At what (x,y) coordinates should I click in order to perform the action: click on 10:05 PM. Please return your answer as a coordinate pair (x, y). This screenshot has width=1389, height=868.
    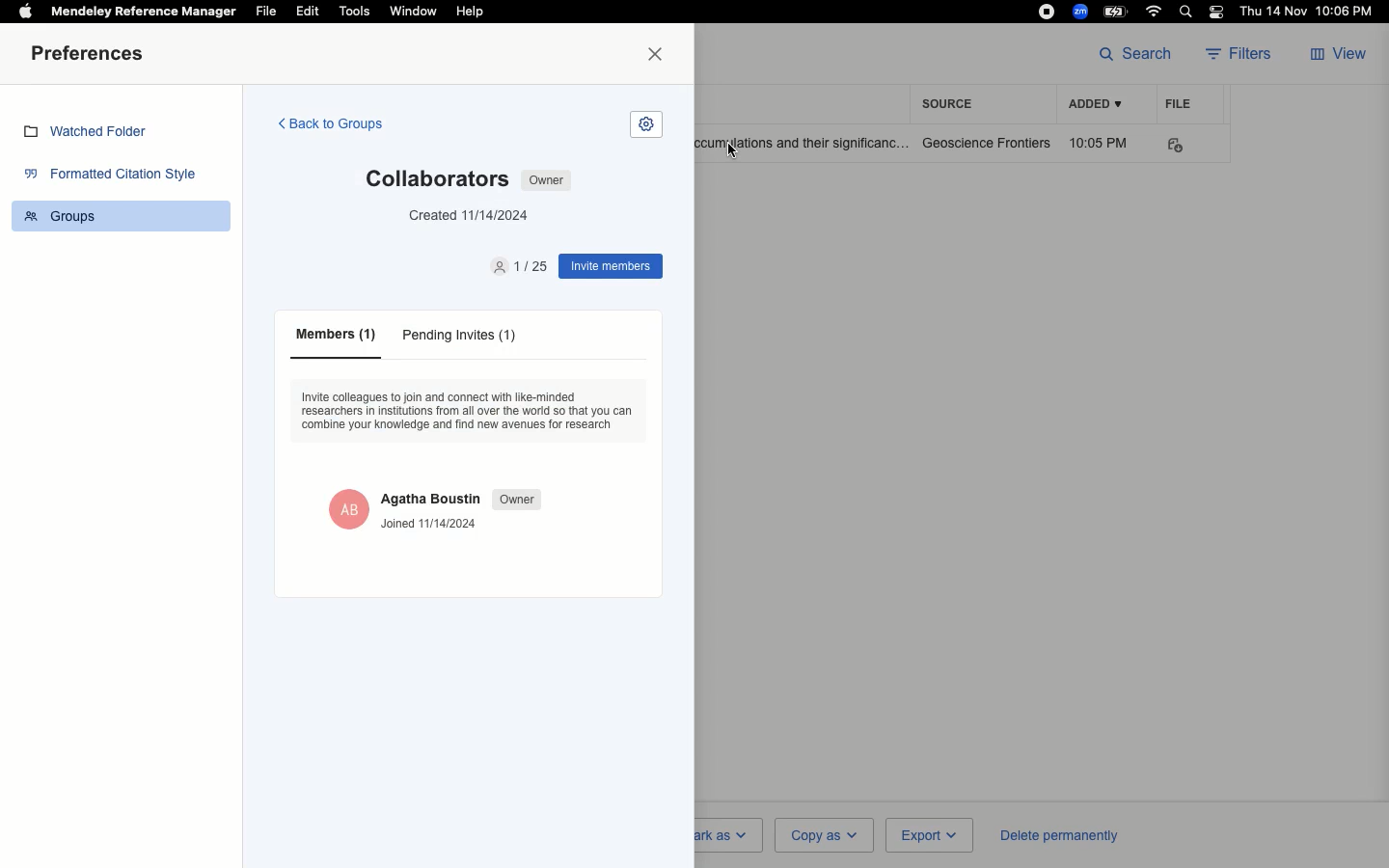
    Looking at the image, I should click on (1102, 143).